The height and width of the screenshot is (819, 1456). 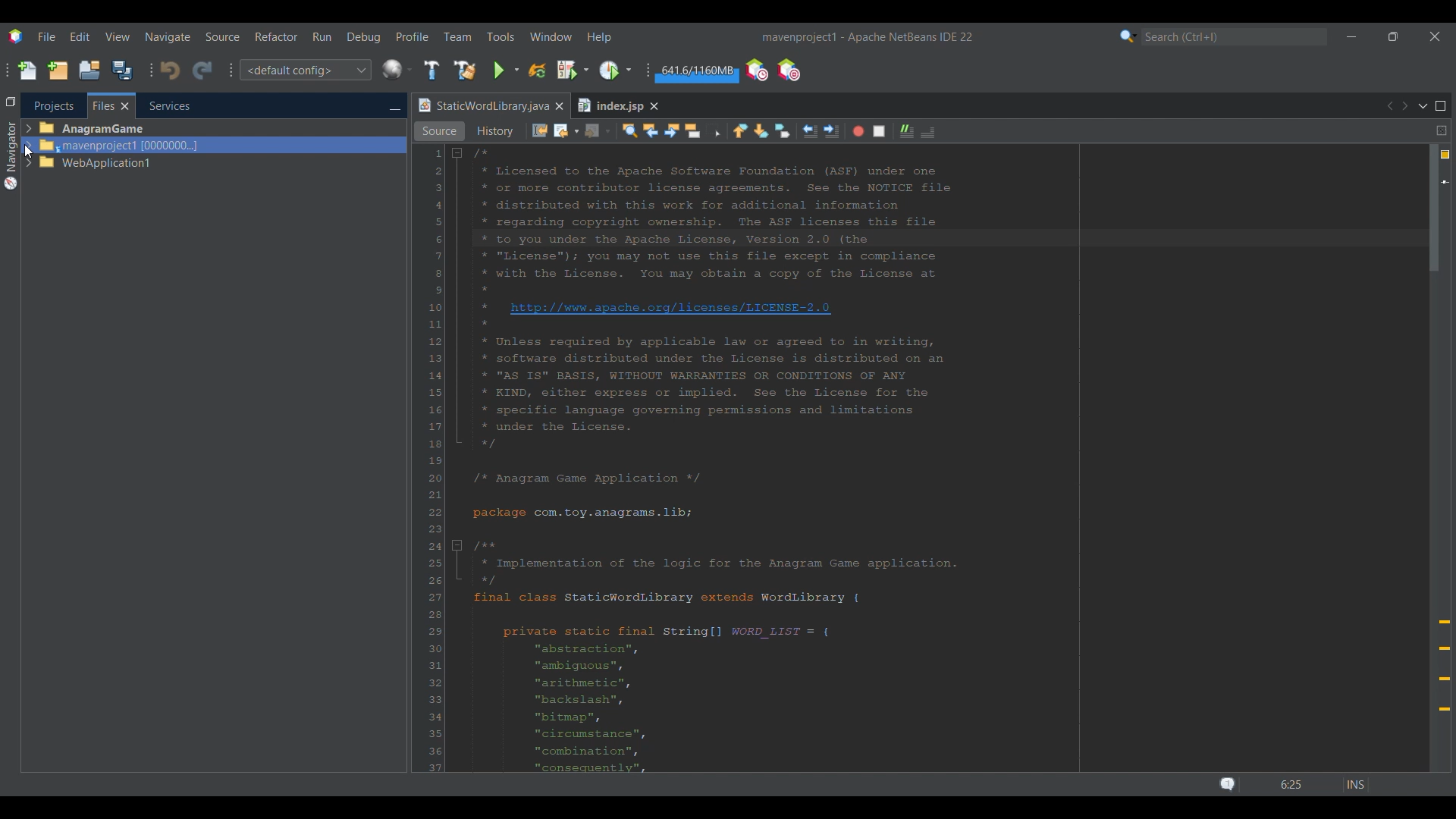 I want to click on Services, current tab highlighted, so click(x=162, y=105).